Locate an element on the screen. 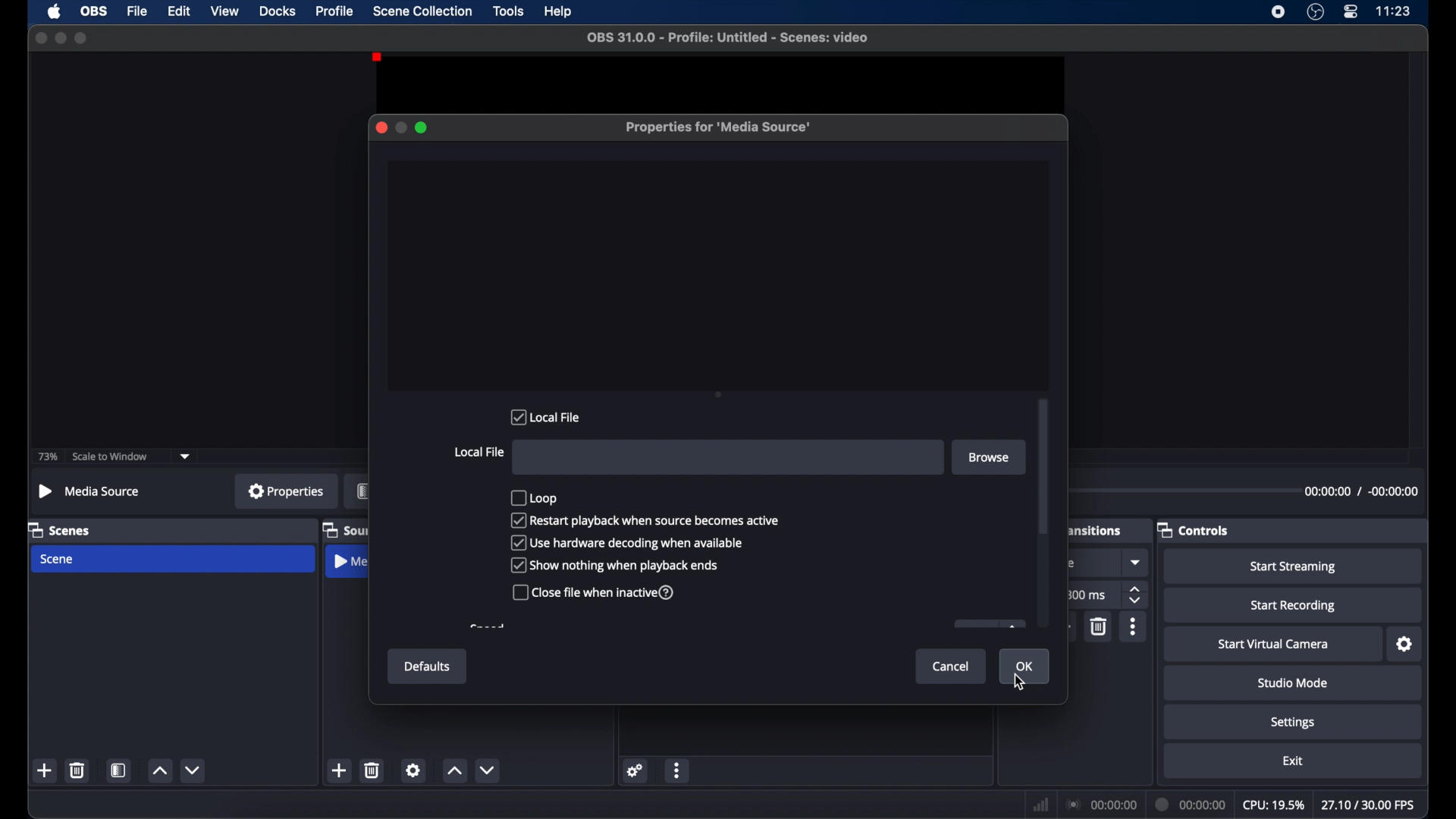  obscure text is located at coordinates (487, 626).